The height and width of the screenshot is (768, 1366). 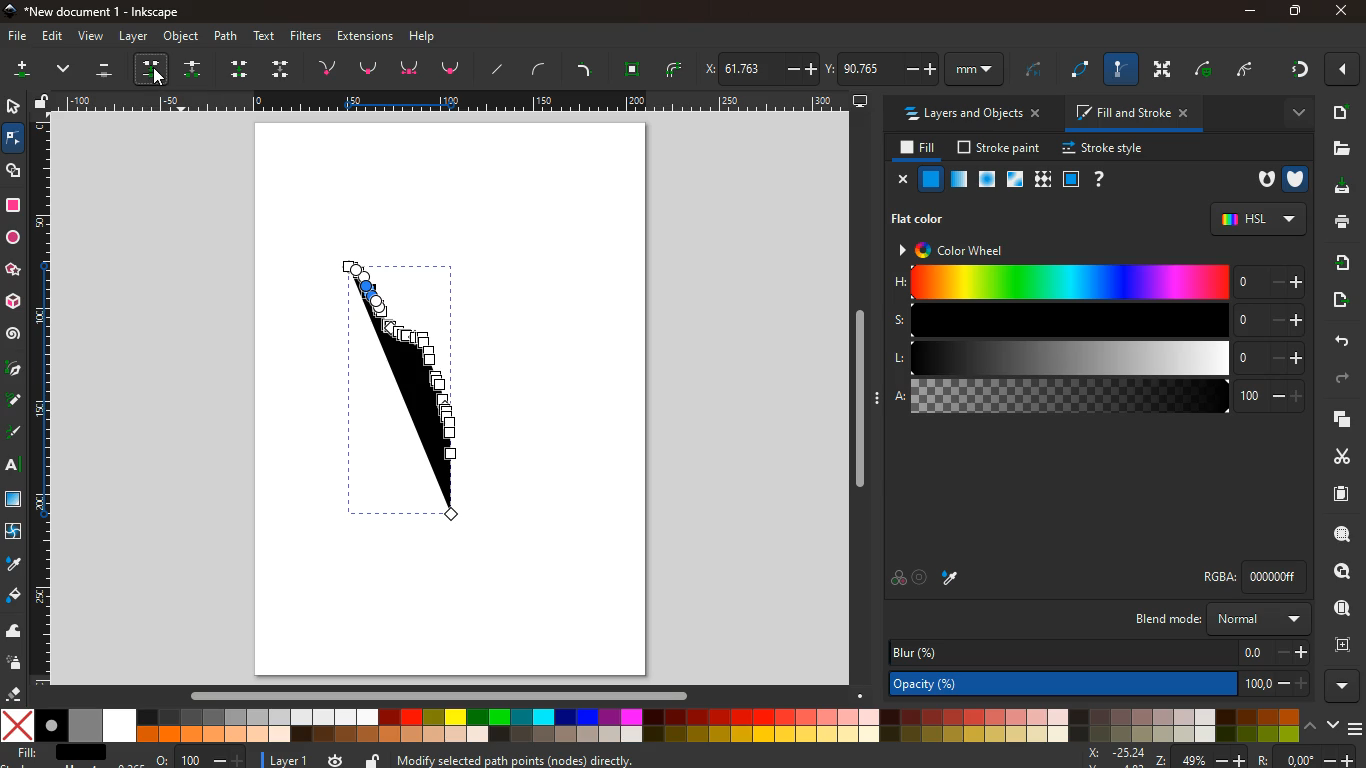 I want to click on layers and objects, so click(x=970, y=113).